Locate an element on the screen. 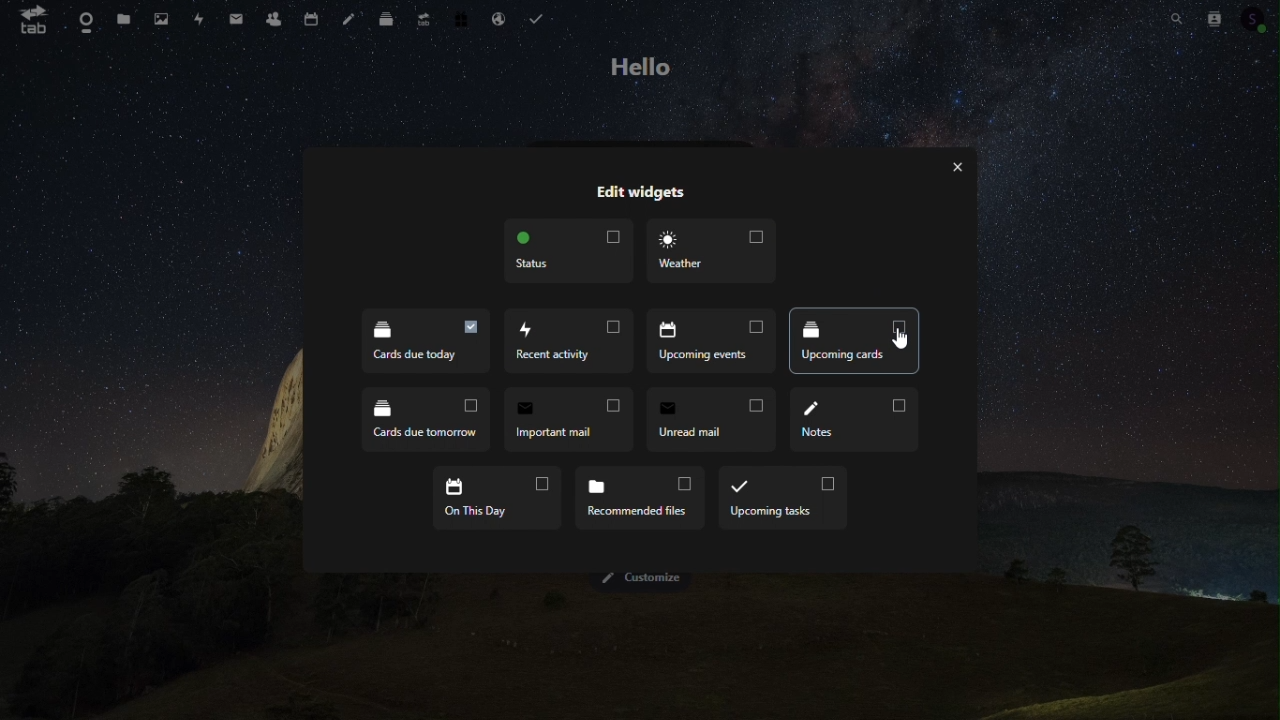 The image size is (1280, 720). Upcoming events is located at coordinates (713, 339).